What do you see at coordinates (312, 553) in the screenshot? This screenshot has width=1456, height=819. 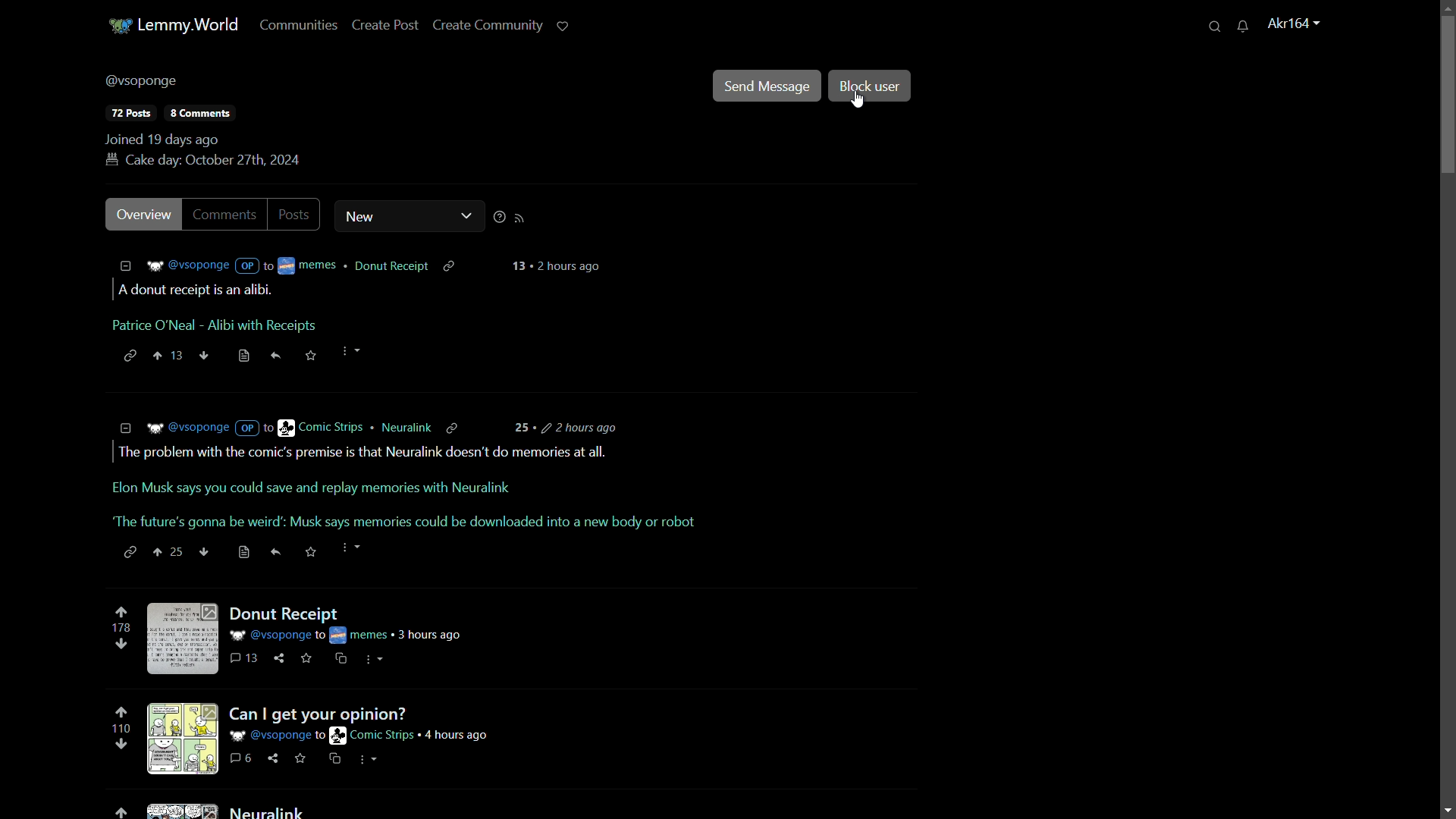 I see `save` at bounding box center [312, 553].